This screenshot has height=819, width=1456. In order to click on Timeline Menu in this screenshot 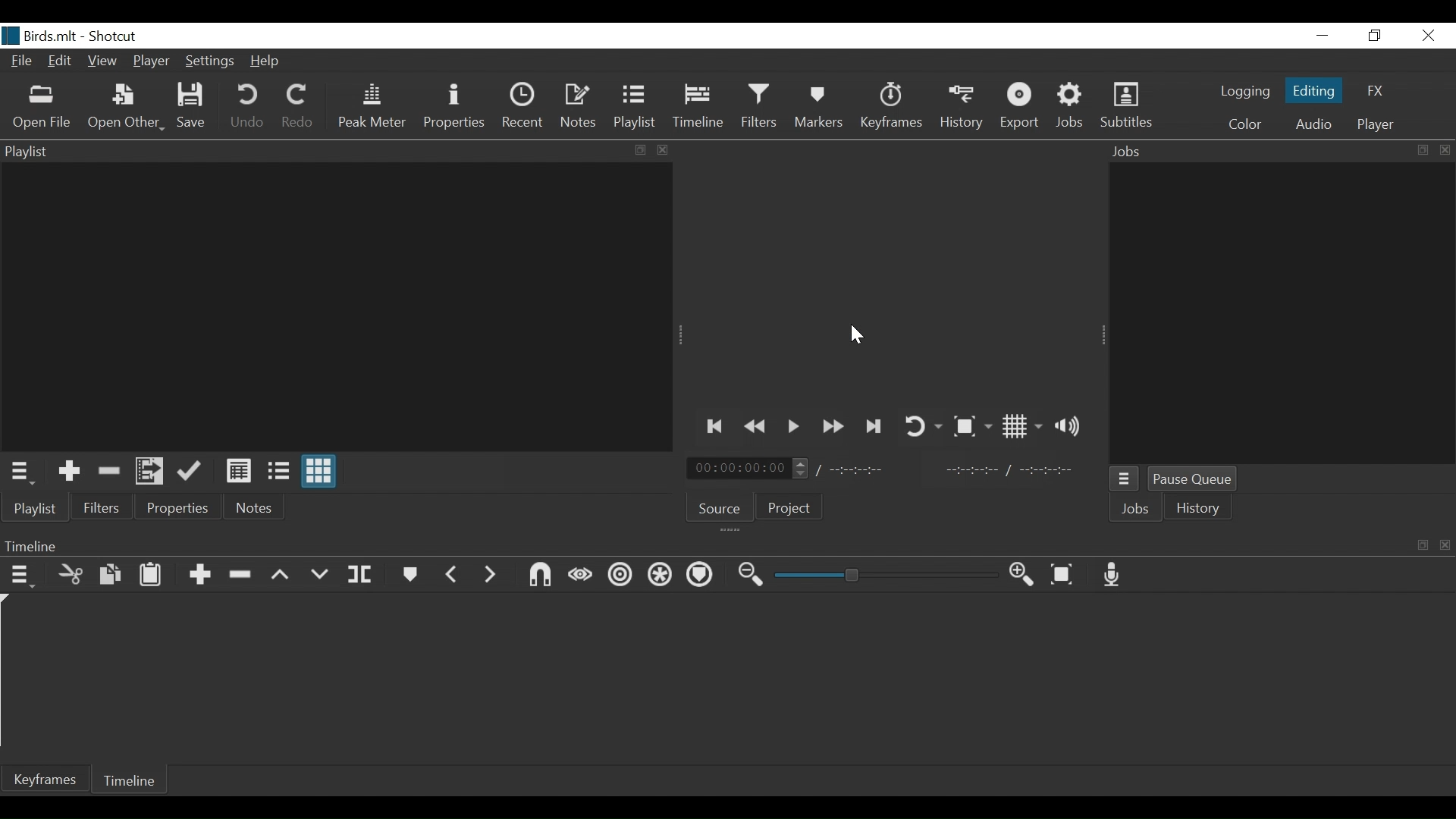, I will do `click(22, 574)`.